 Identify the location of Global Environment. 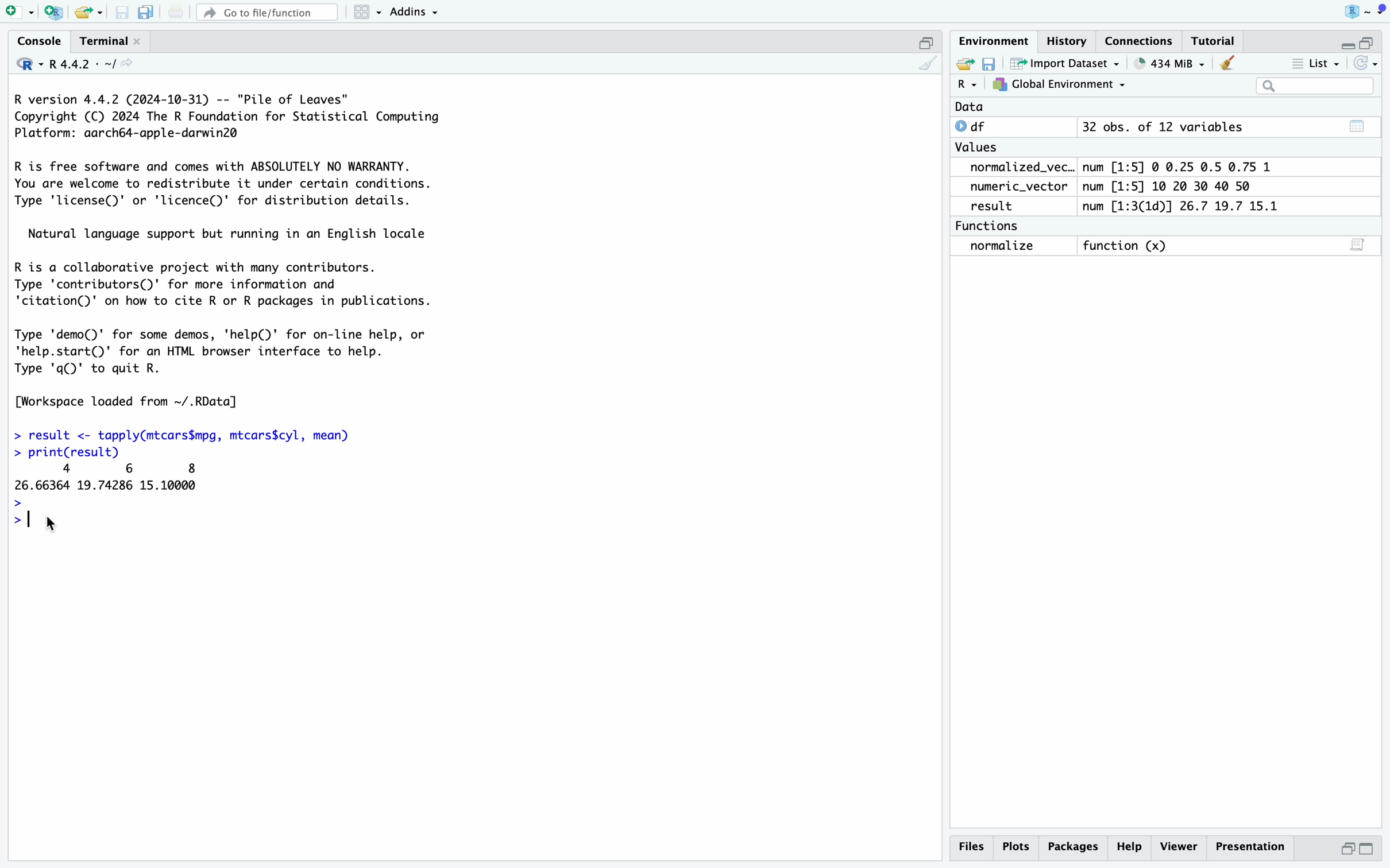
(1057, 85).